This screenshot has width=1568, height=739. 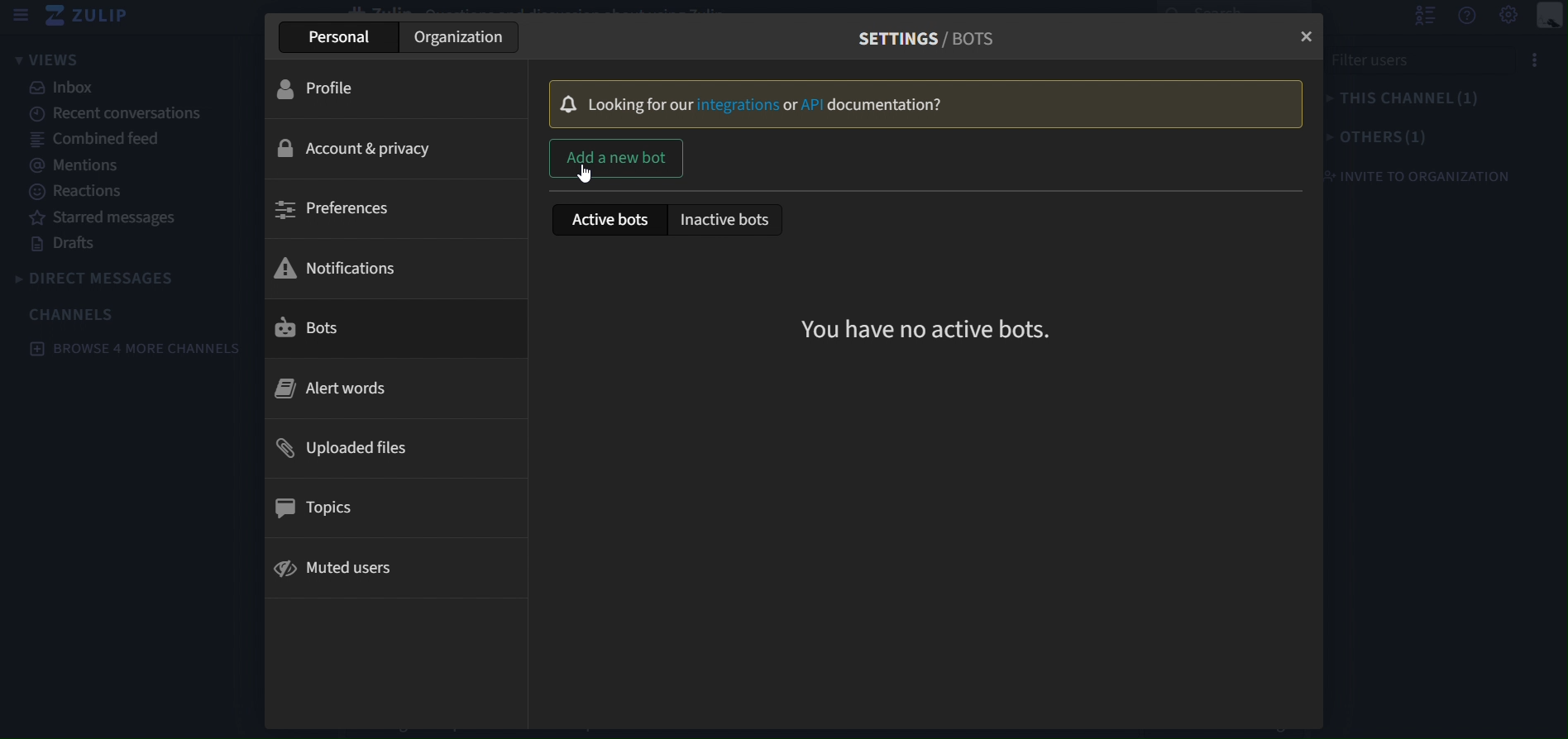 I want to click on organization, so click(x=459, y=39).